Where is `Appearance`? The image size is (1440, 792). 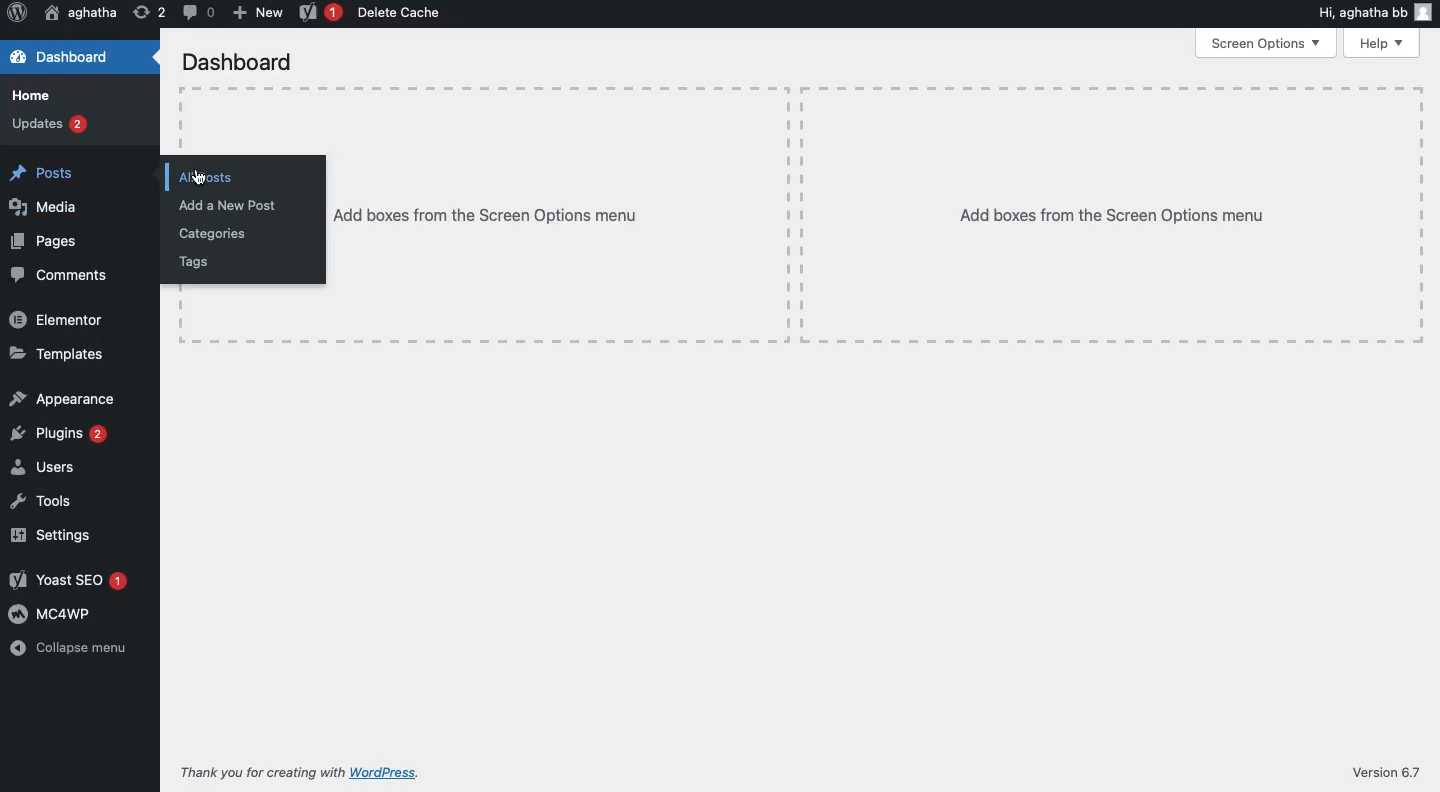 Appearance is located at coordinates (62, 398).